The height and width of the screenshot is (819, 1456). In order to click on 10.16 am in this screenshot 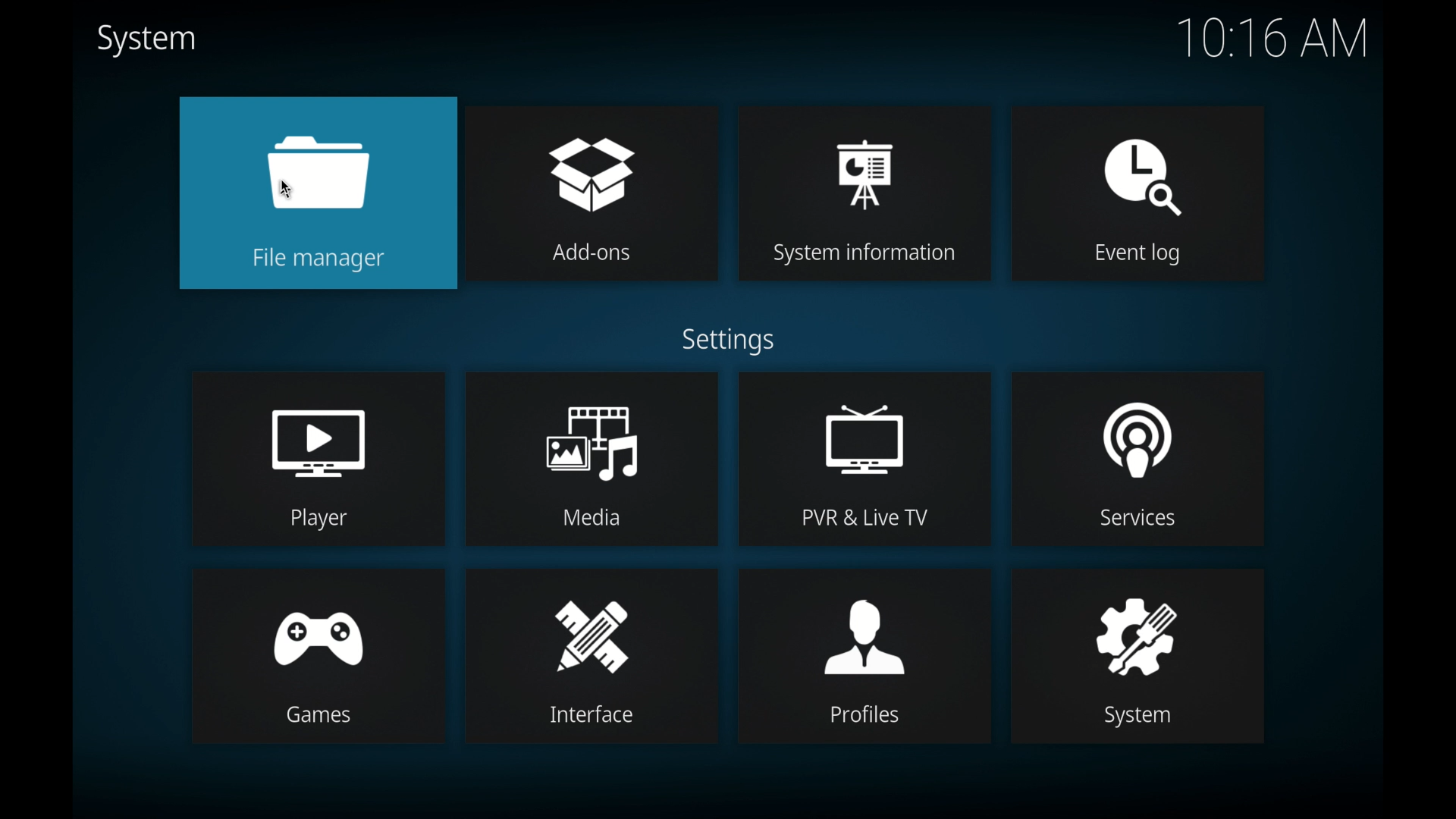, I will do `click(1273, 39)`.